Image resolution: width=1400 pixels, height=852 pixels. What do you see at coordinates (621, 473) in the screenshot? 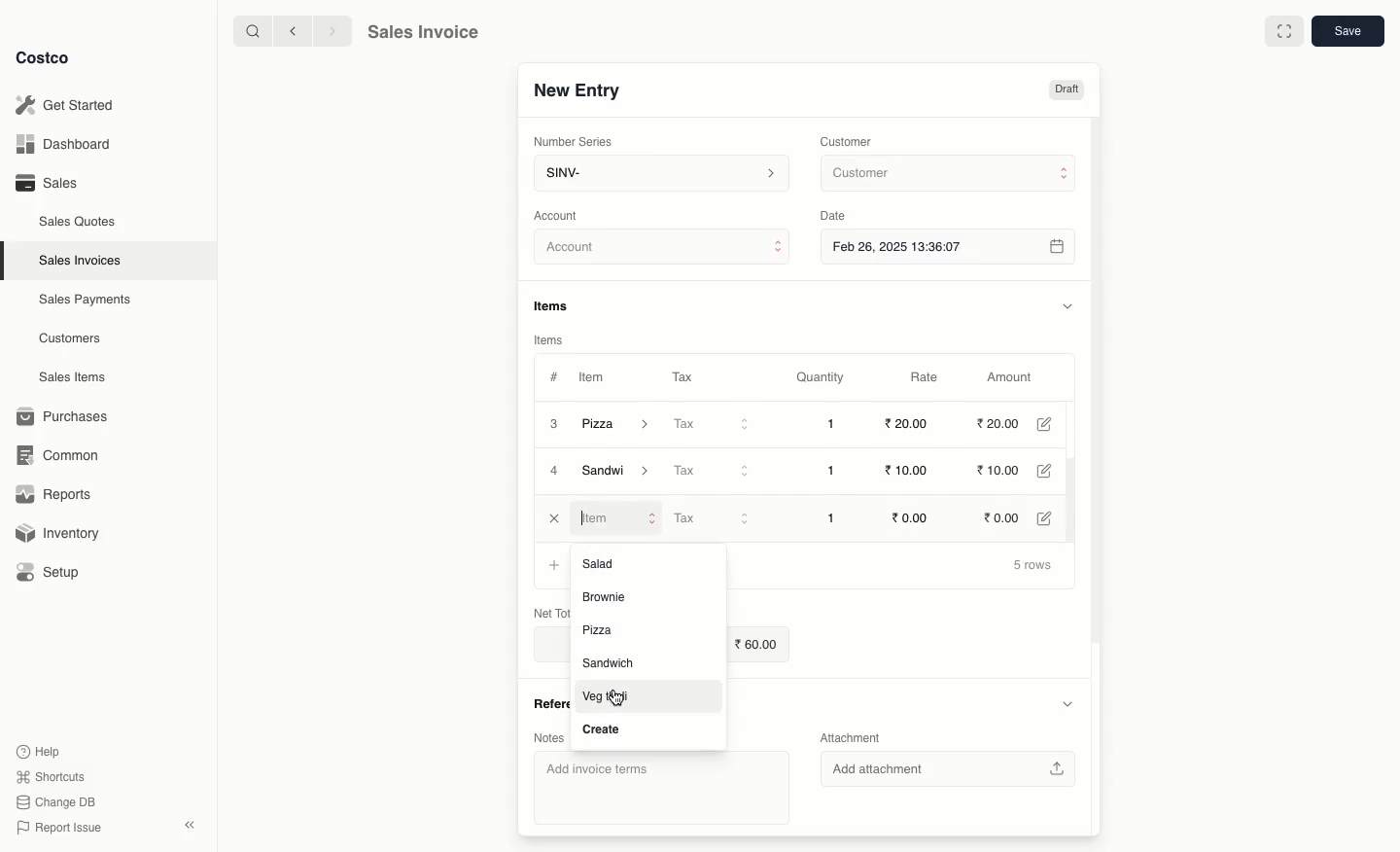
I see `Sandal` at bounding box center [621, 473].